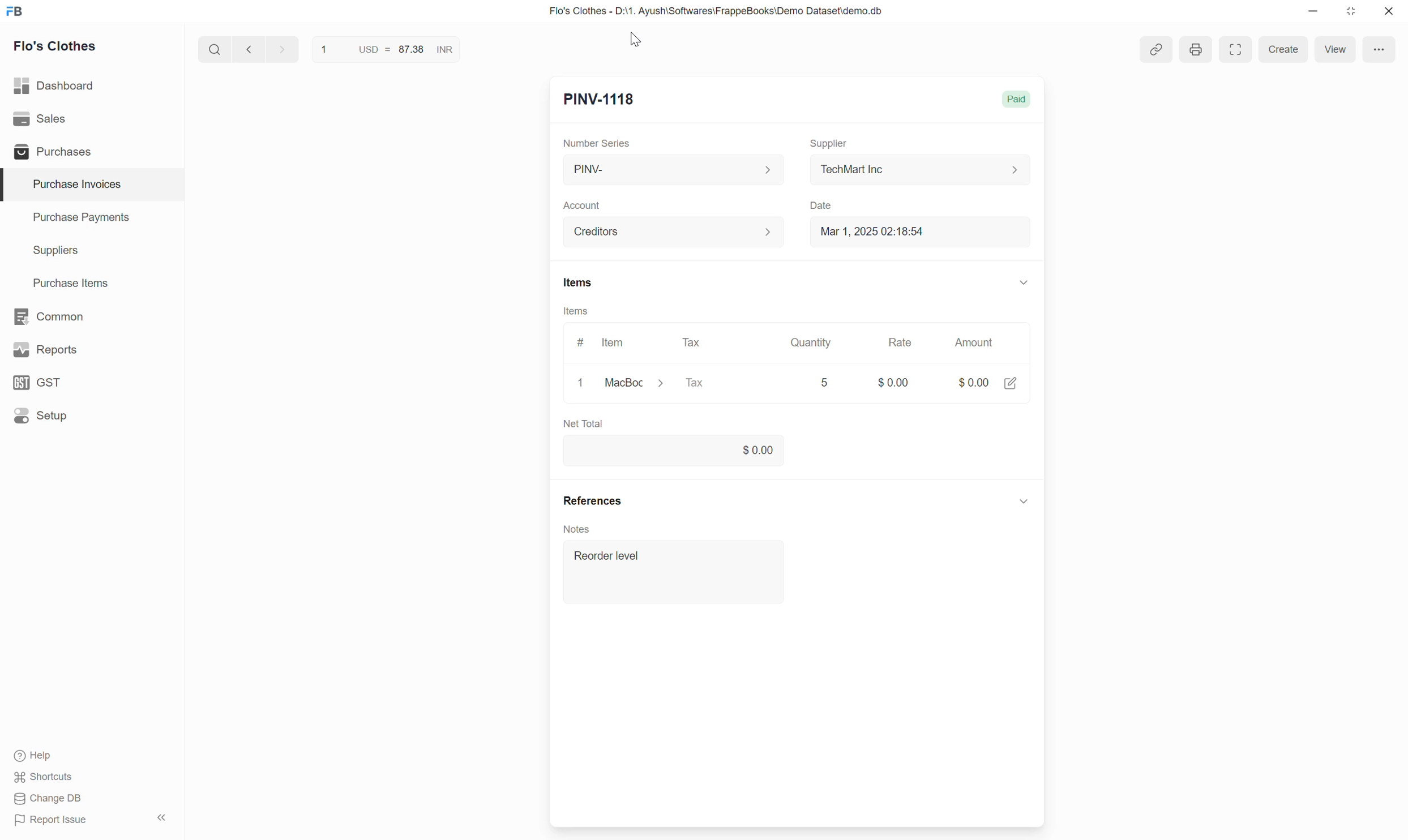 This screenshot has height=840, width=1408. Describe the element at coordinates (602, 342) in the screenshot. I see `# Item` at that location.